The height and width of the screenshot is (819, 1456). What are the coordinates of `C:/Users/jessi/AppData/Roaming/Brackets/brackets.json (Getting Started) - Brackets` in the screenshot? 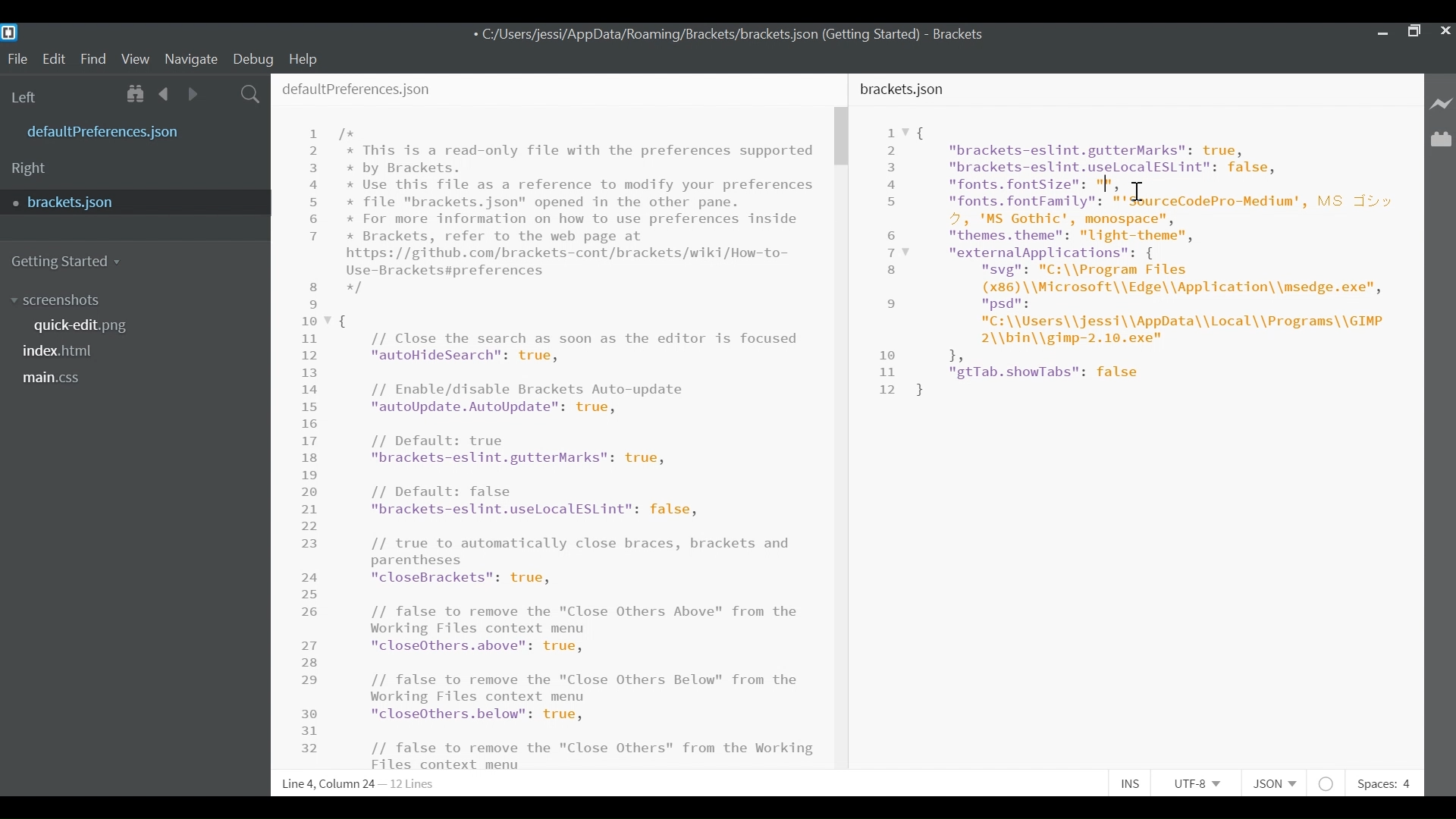 It's located at (729, 37).